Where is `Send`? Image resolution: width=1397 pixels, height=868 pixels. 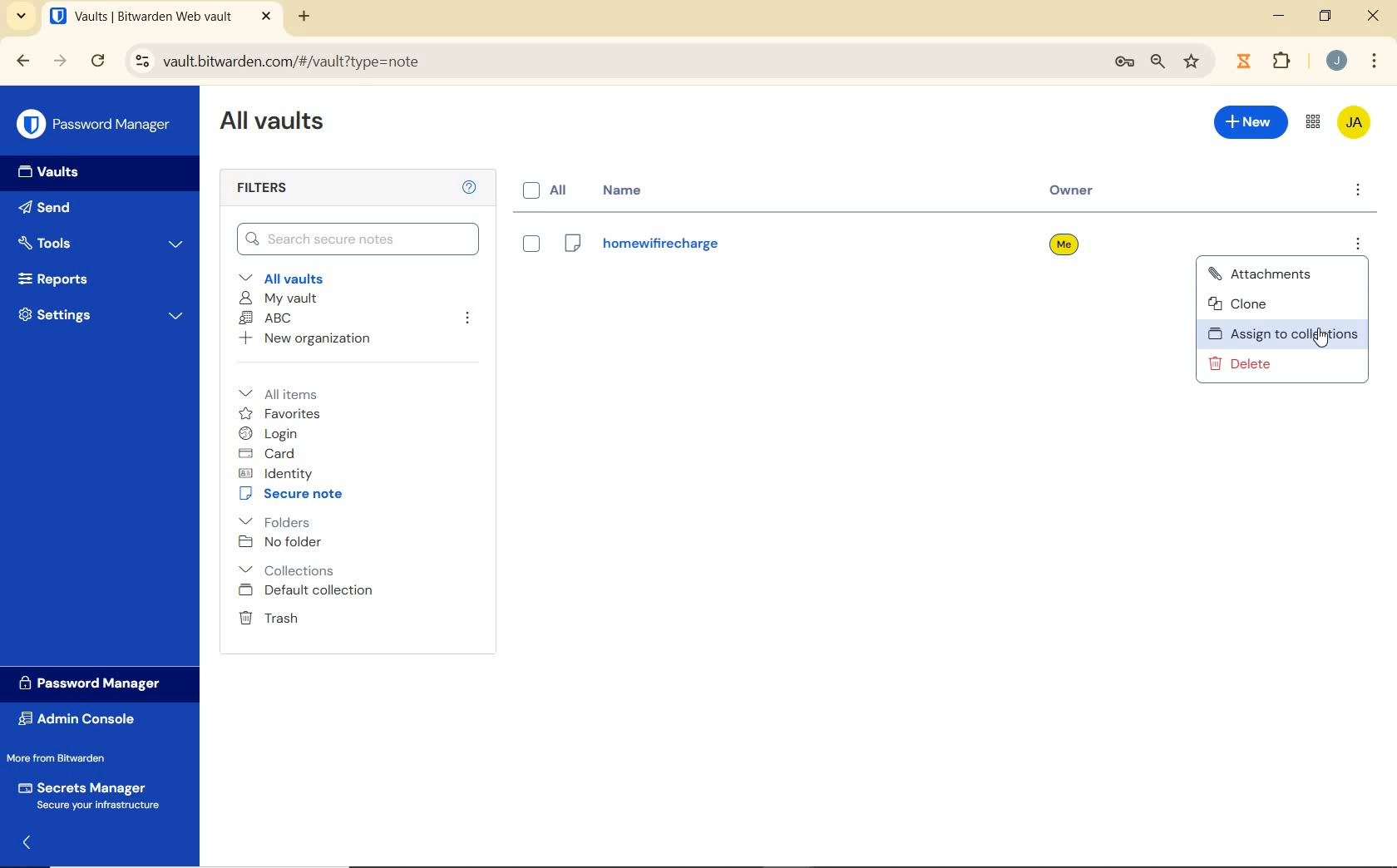
Send is located at coordinates (50, 206).